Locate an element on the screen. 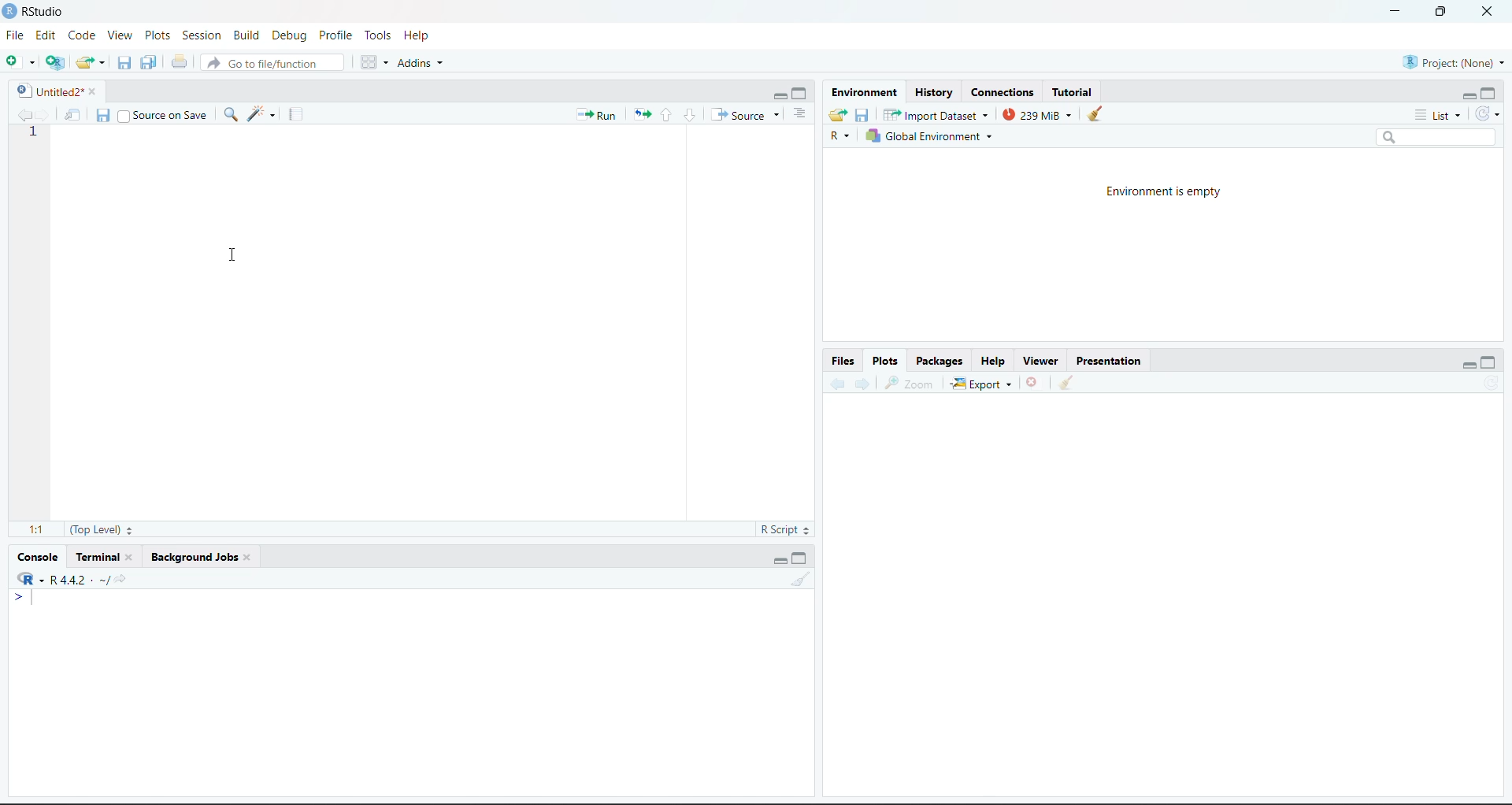  Show document outline (Ctrl + Shift + O) is located at coordinates (805, 113).